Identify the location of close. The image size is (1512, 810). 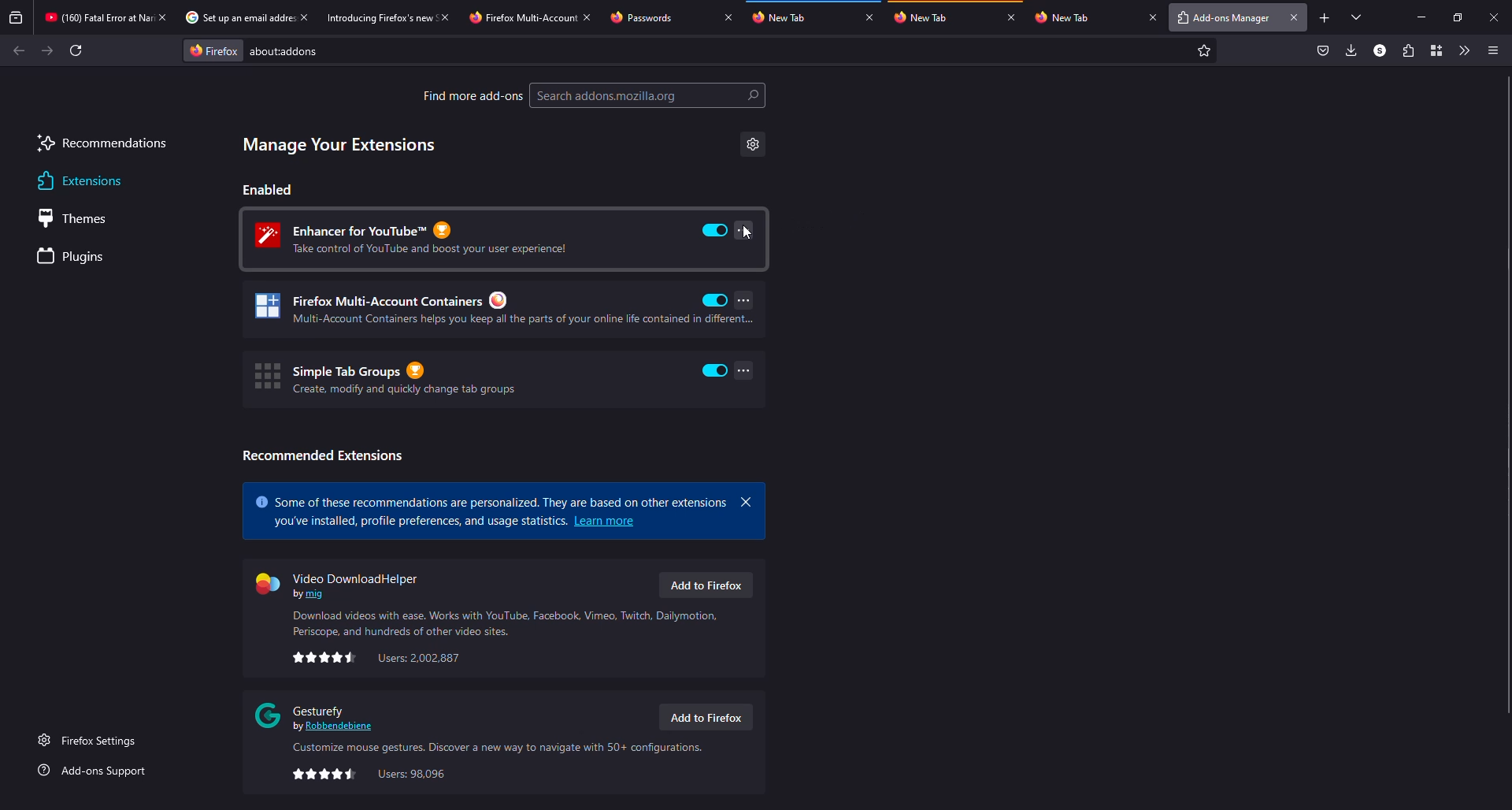
(587, 17).